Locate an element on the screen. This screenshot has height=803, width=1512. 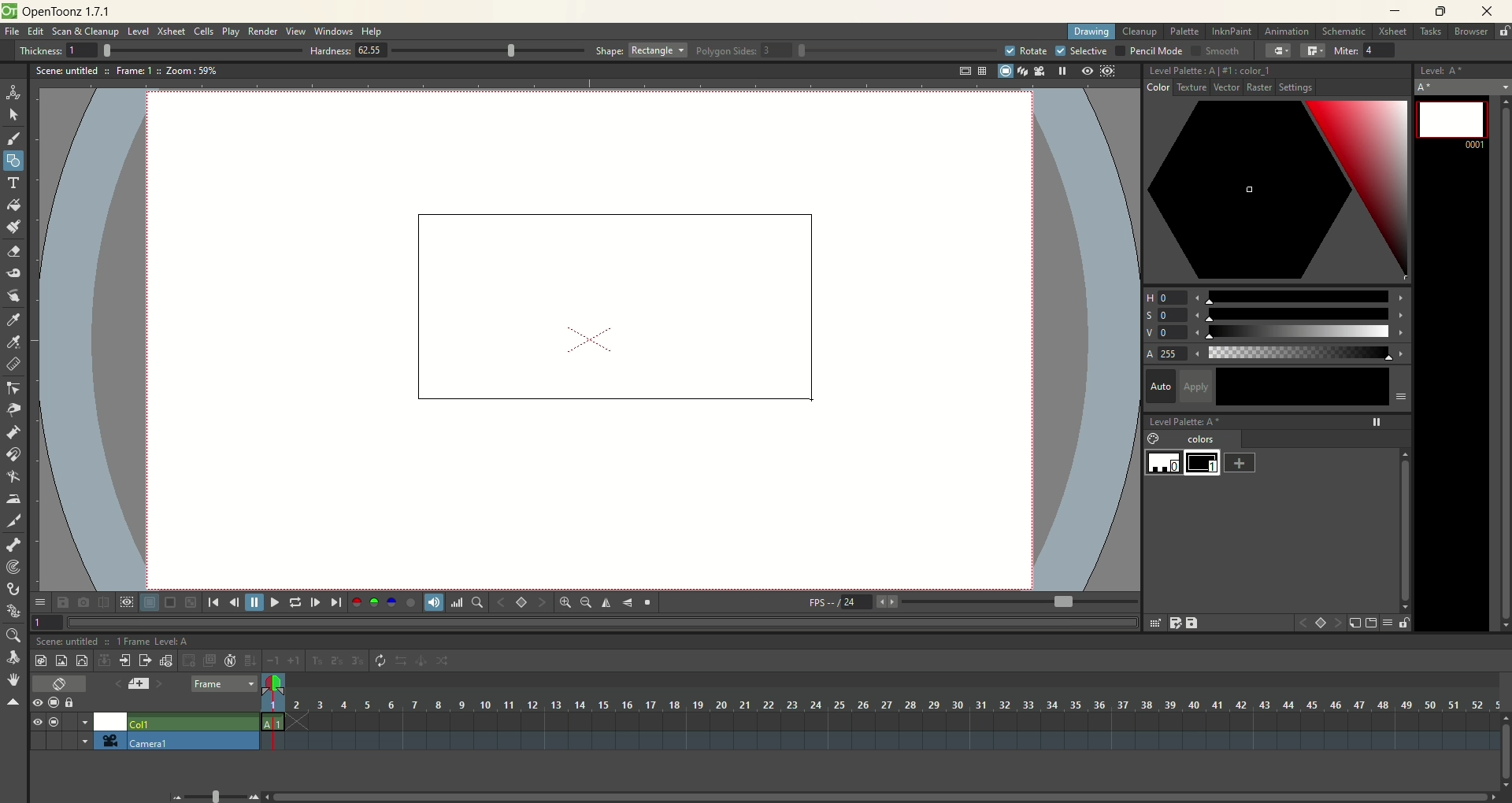
view is located at coordinates (296, 31).